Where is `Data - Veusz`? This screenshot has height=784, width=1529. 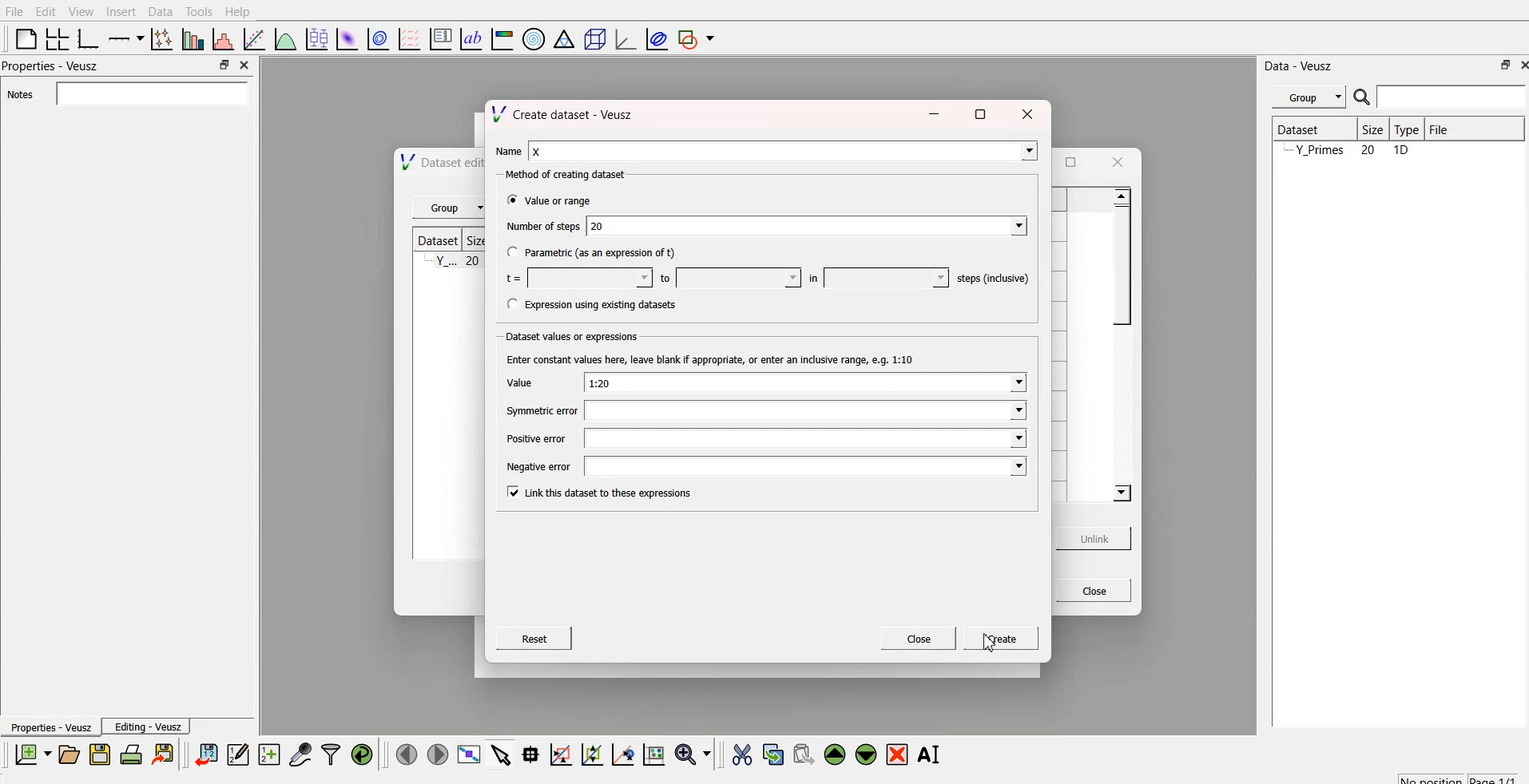 Data - Veusz is located at coordinates (1301, 63).